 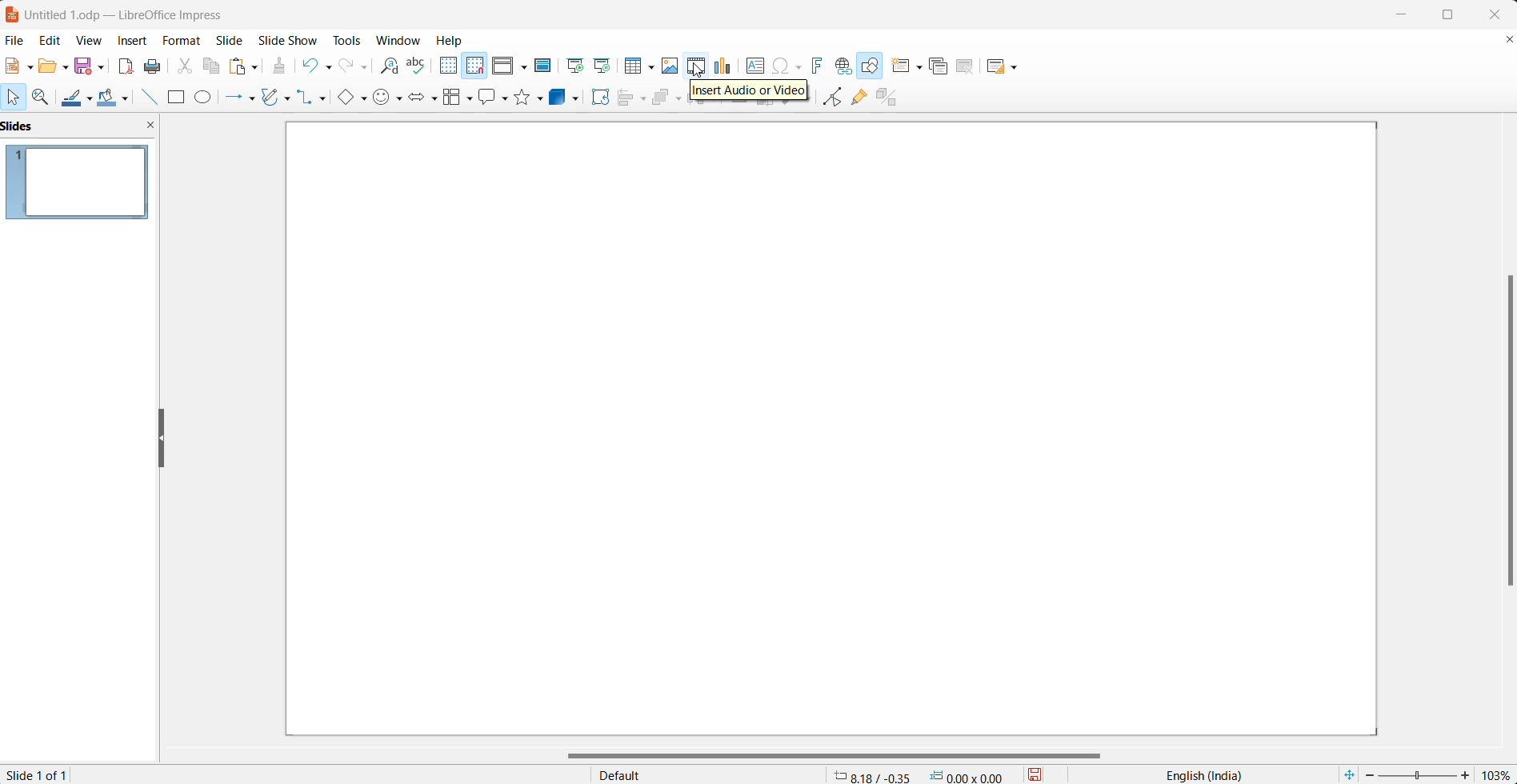 I want to click on undo, so click(x=310, y=66).